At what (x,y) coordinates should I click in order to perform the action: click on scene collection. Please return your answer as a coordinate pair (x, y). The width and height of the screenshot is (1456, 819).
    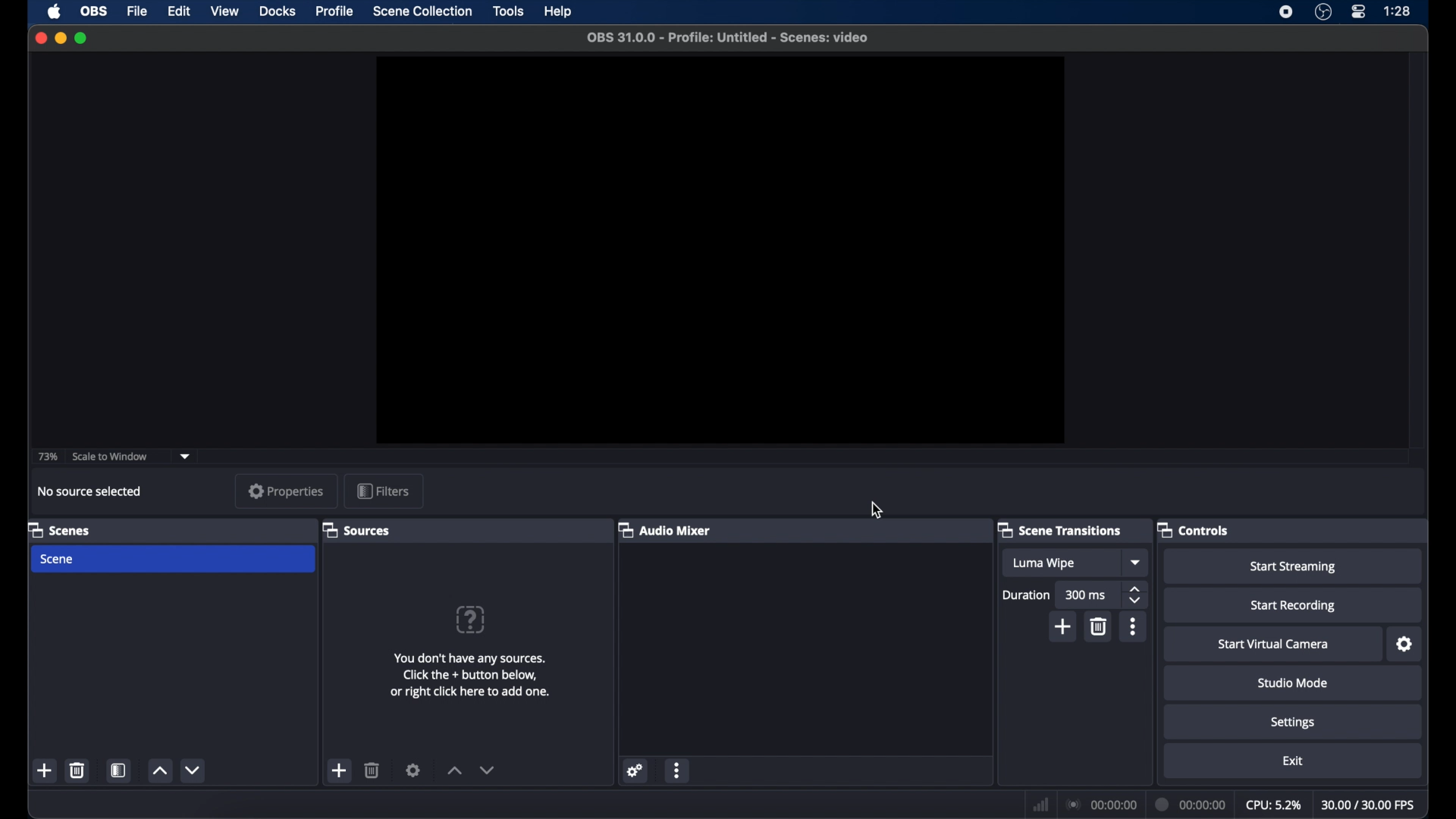
    Looking at the image, I should click on (422, 12).